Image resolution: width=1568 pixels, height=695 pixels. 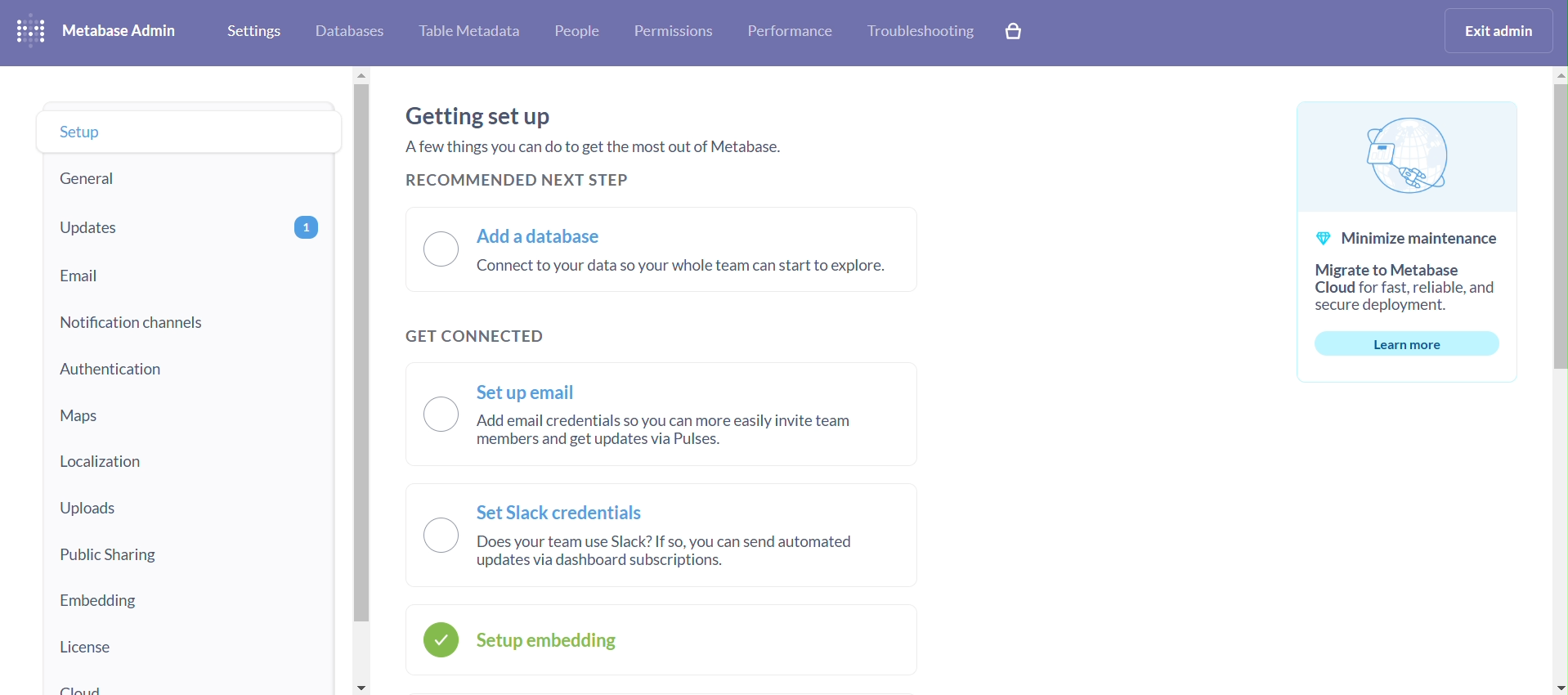 I want to click on public sharing, so click(x=188, y=552).